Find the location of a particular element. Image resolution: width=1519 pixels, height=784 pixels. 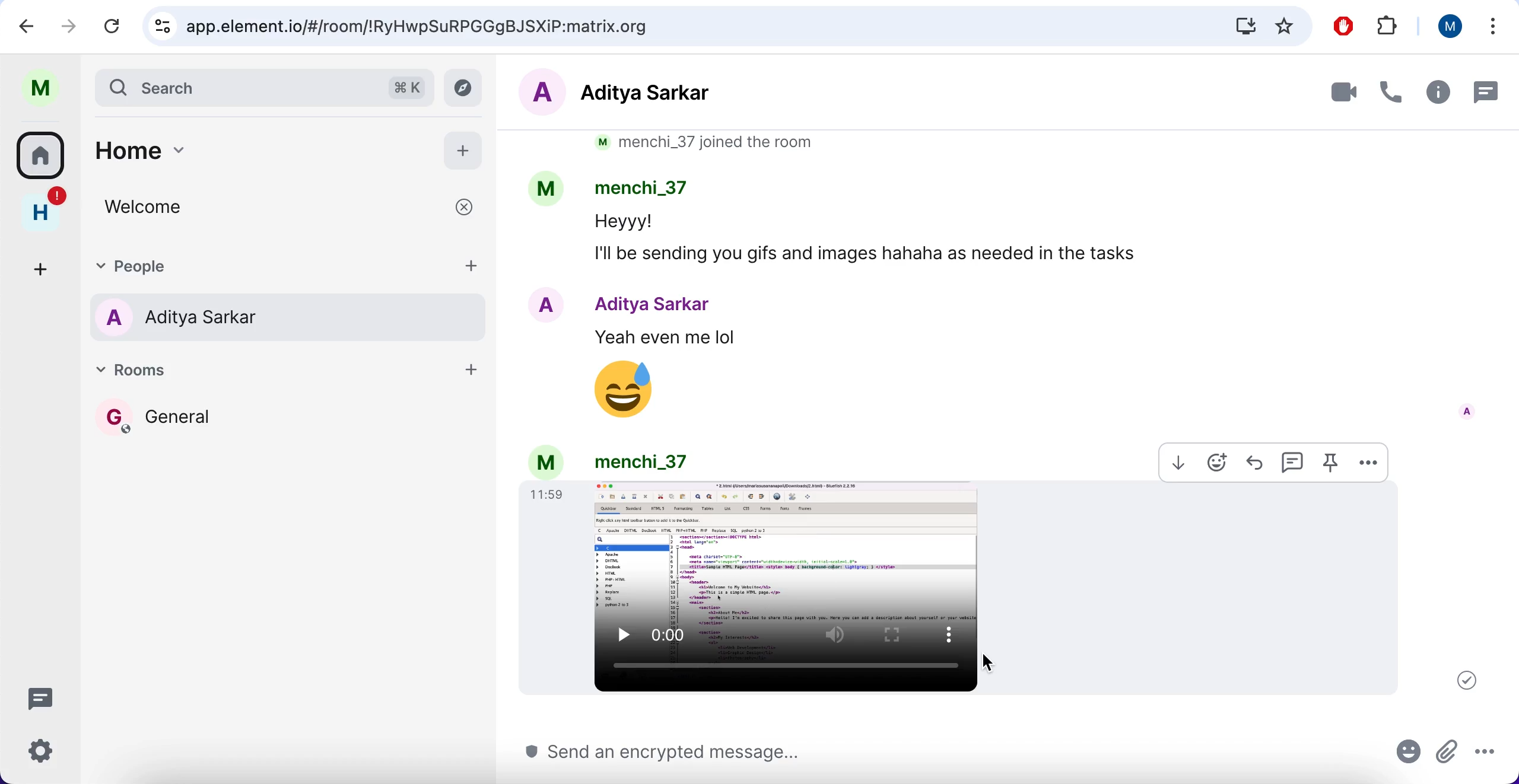

add people is located at coordinates (478, 269).